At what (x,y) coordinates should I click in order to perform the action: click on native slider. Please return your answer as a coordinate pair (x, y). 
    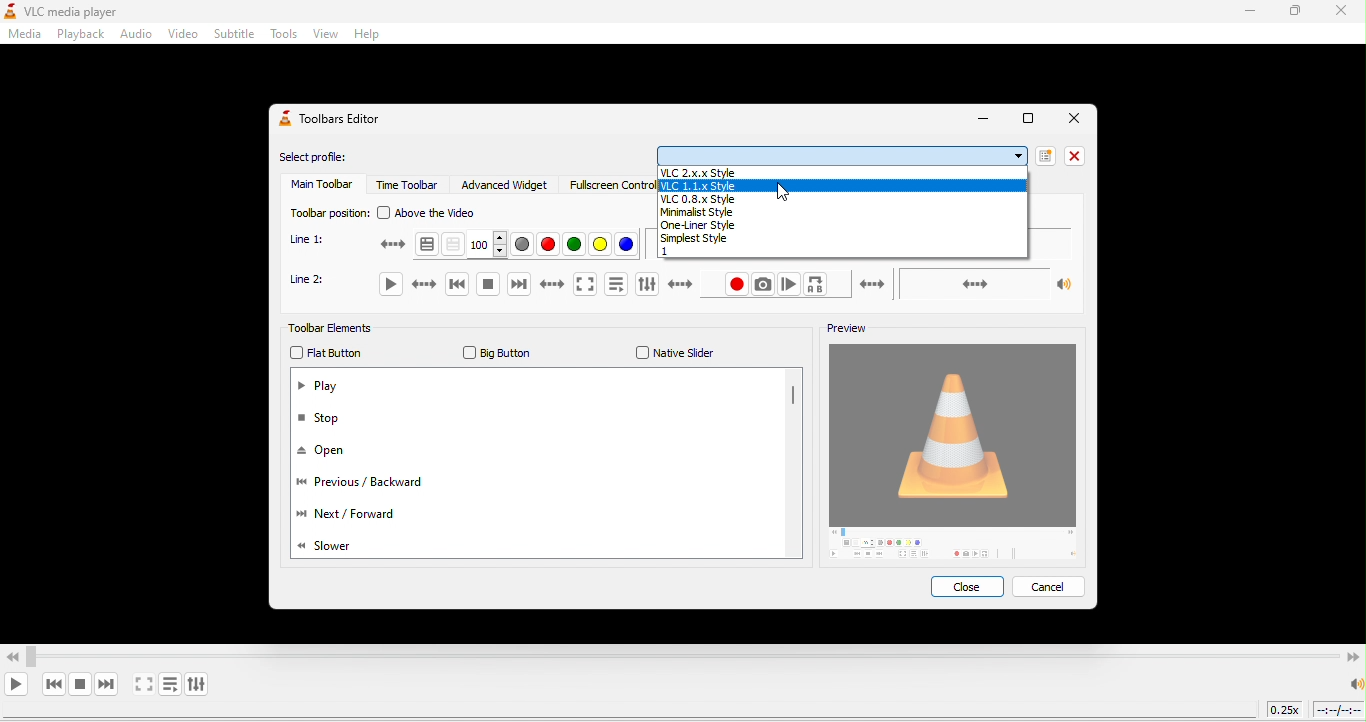
    Looking at the image, I should click on (671, 353).